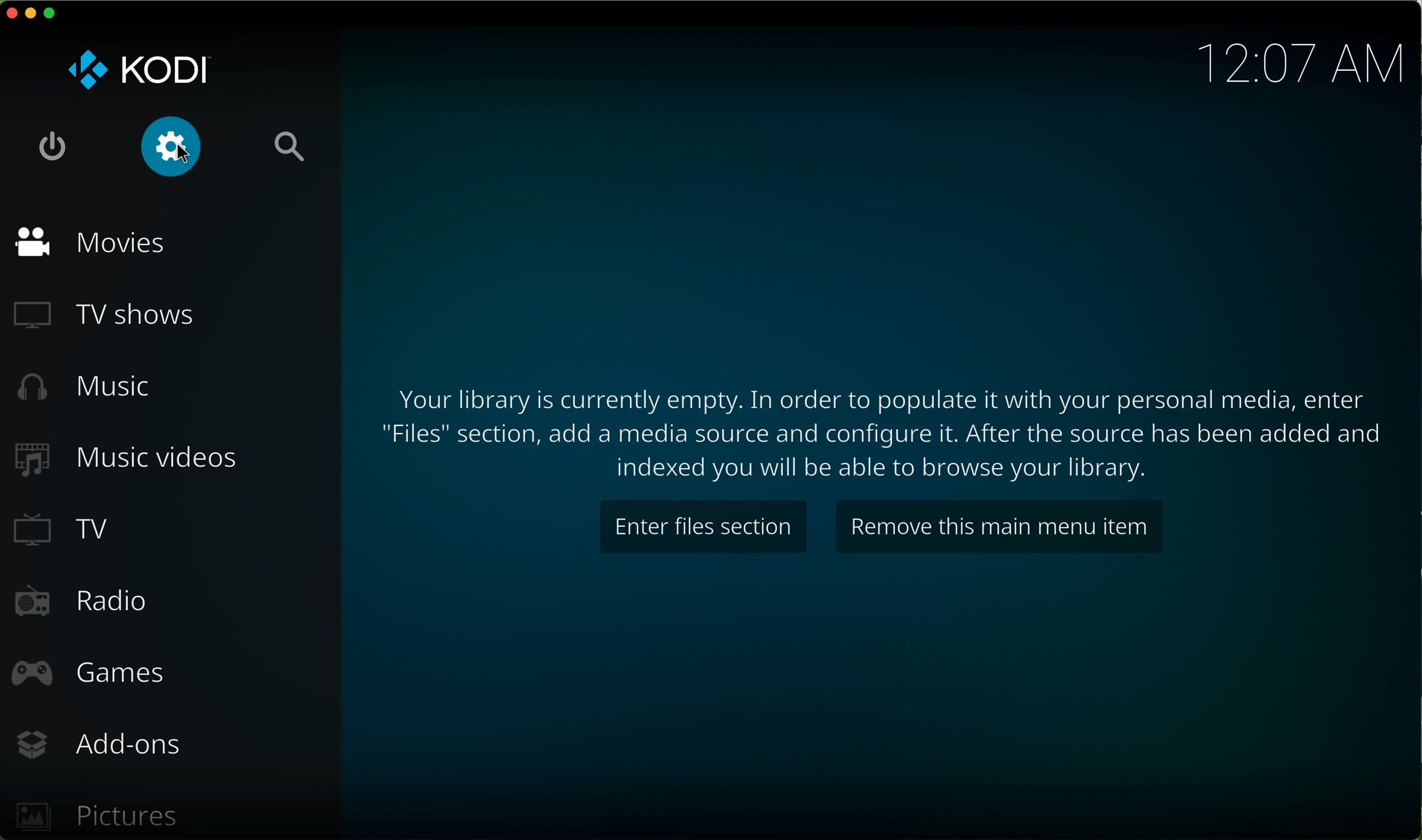  I want to click on KODI logo, so click(137, 72).